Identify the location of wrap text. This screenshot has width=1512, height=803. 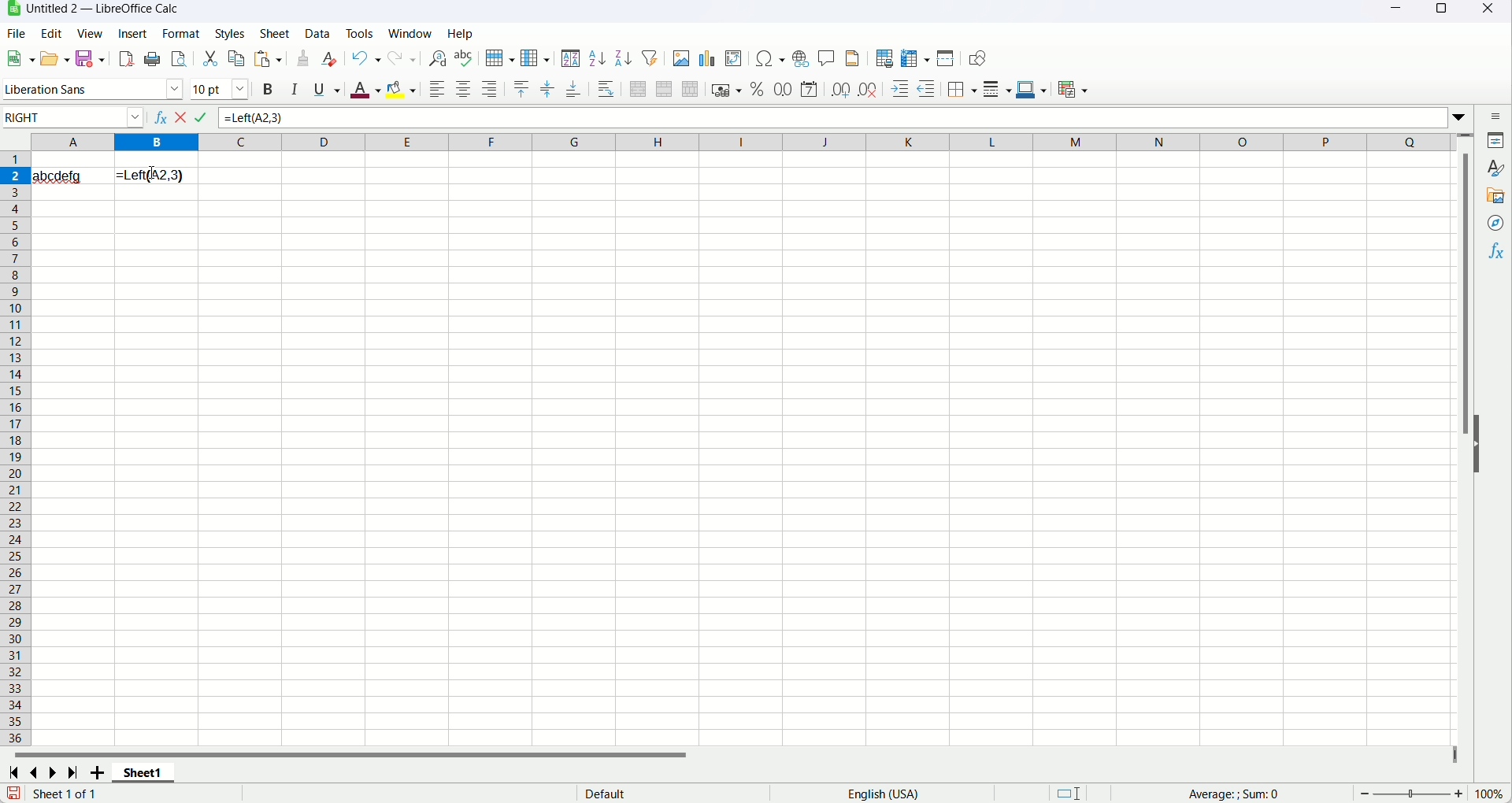
(608, 91).